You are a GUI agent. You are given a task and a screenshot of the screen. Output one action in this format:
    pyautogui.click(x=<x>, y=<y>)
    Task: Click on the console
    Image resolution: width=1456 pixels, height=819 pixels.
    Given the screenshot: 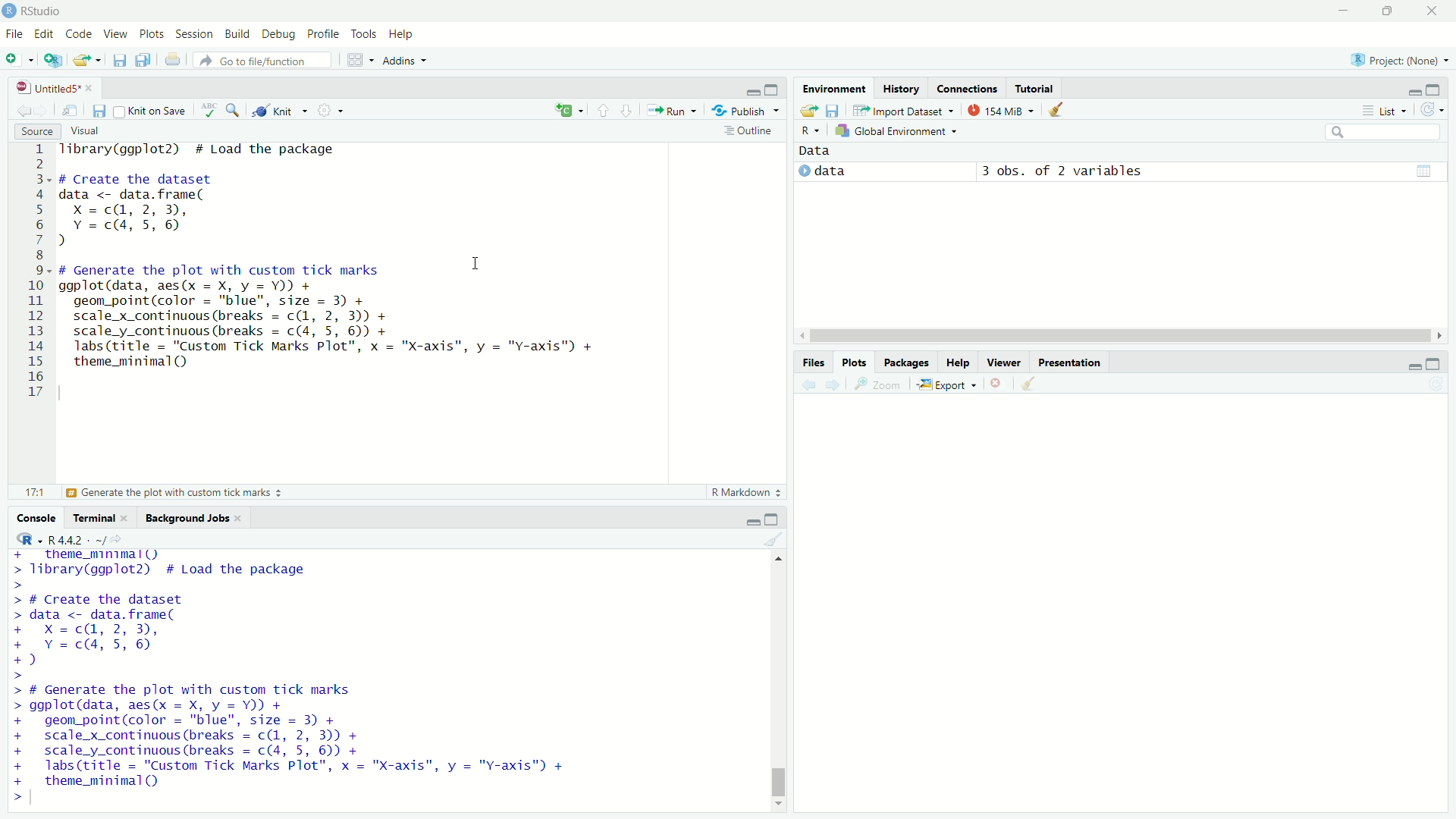 What is the action you would take?
    pyautogui.click(x=32, y=517)
    